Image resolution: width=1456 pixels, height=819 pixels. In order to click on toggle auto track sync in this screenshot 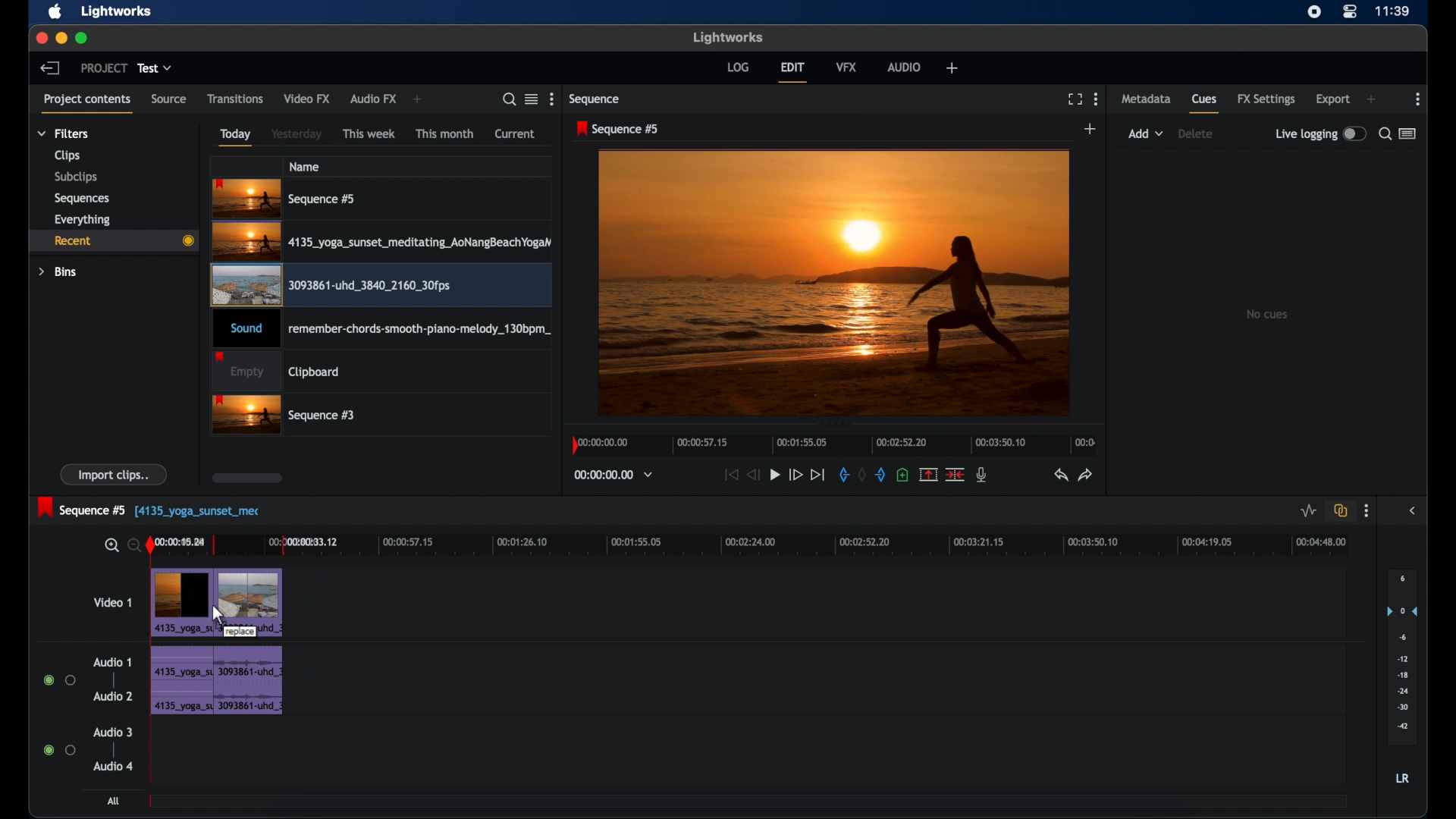, I will do `click(1341, 510)`.